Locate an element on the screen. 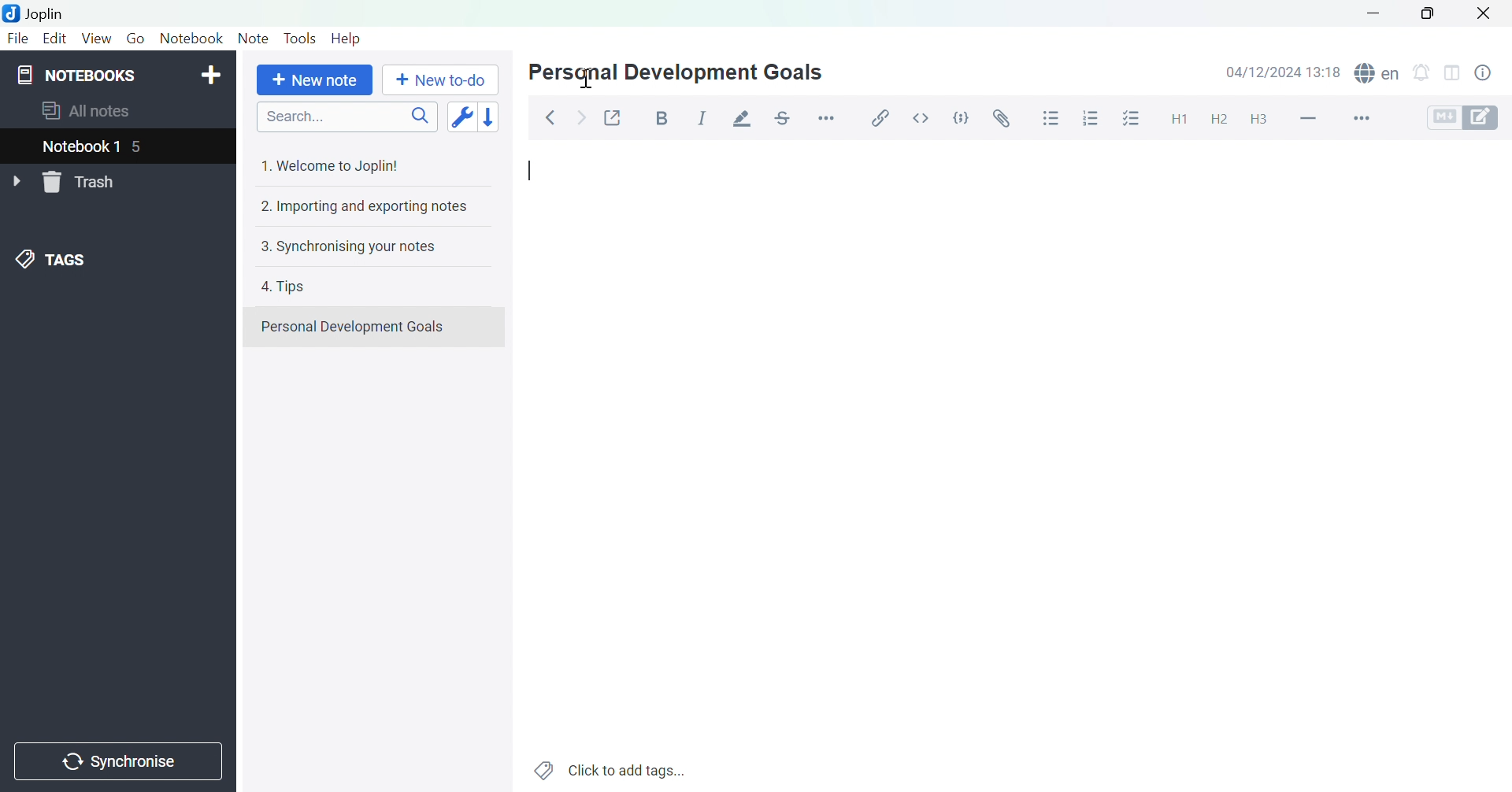 The image size is (1512, 792). 1. Welcome to Joplin! is located at coordinates (336, 165).